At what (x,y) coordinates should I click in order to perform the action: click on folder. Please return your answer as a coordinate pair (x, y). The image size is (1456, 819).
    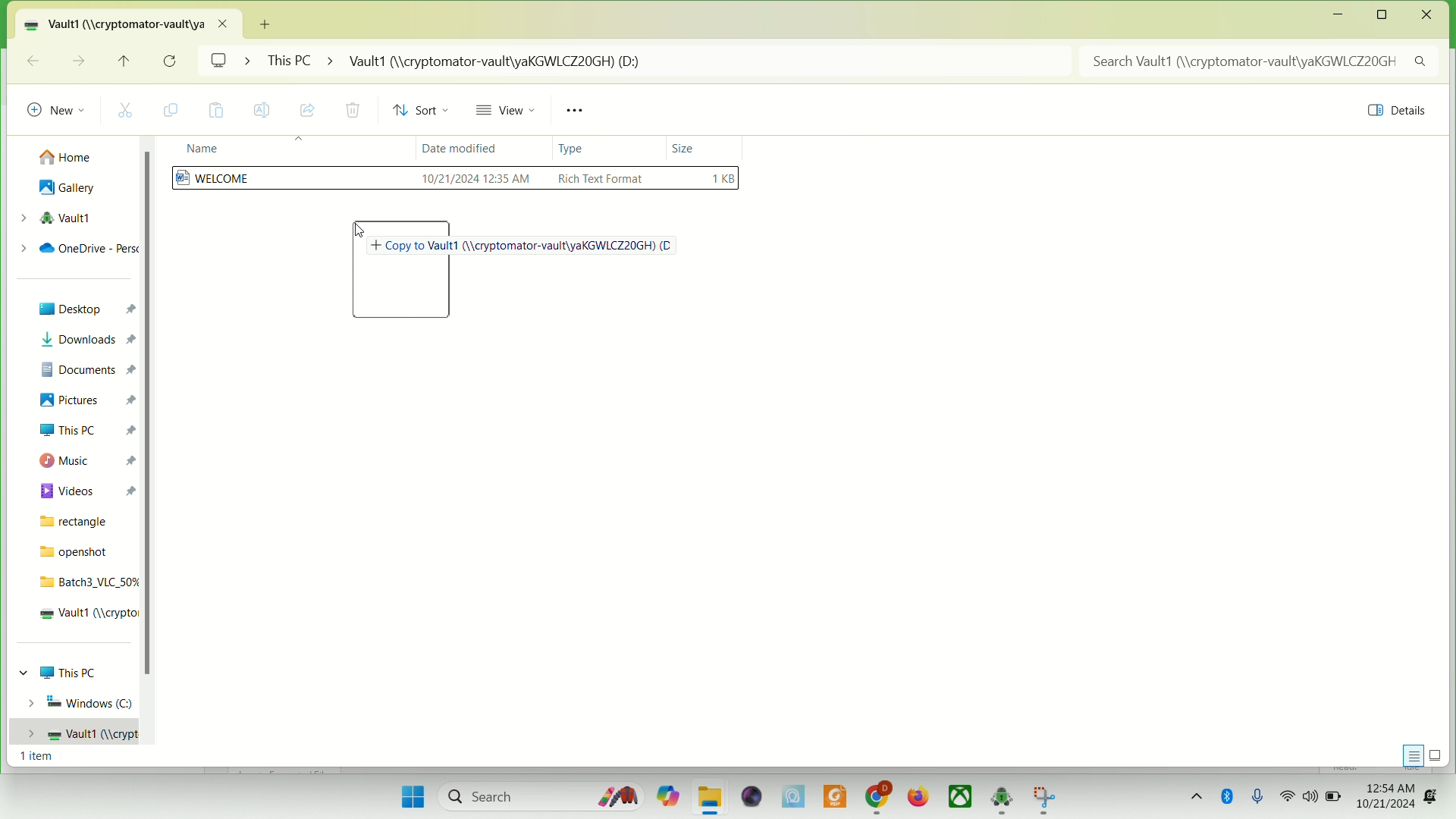
    Looking at the image, I should click on (711, 798).